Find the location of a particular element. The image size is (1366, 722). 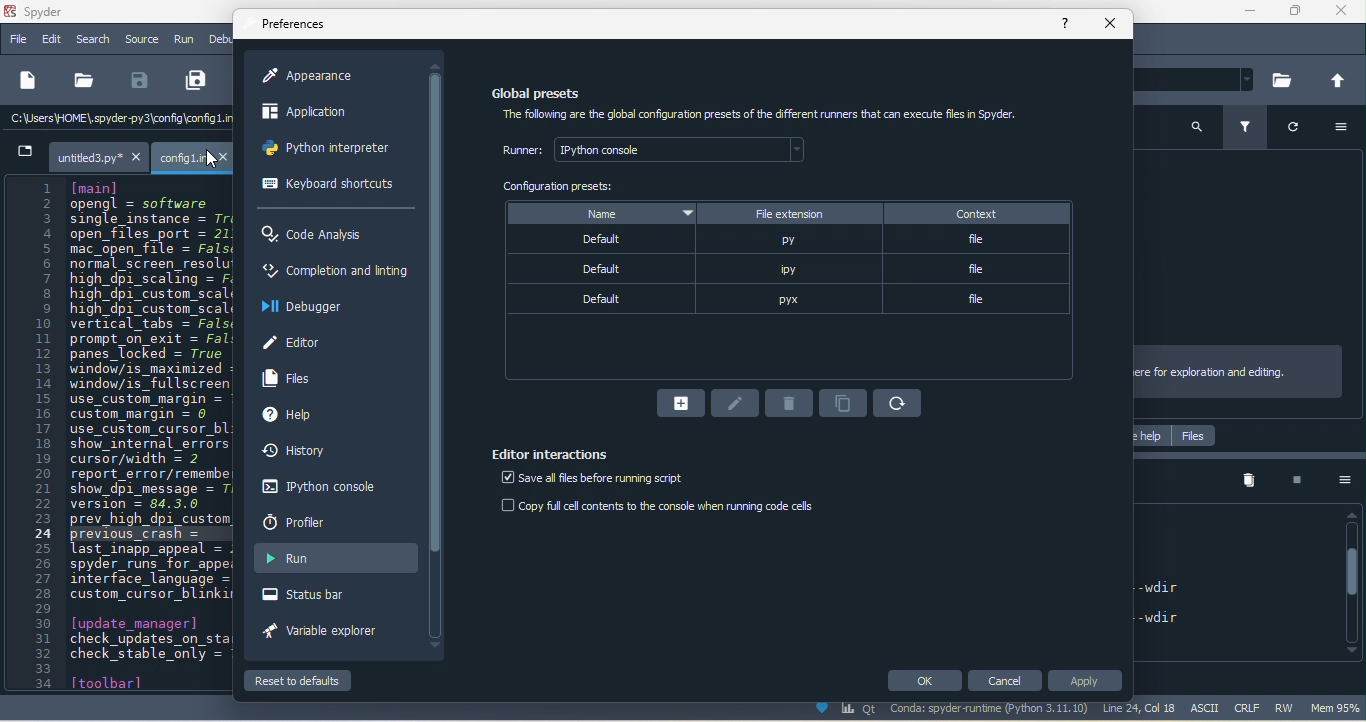

edit is located at coordinates (735, 403).